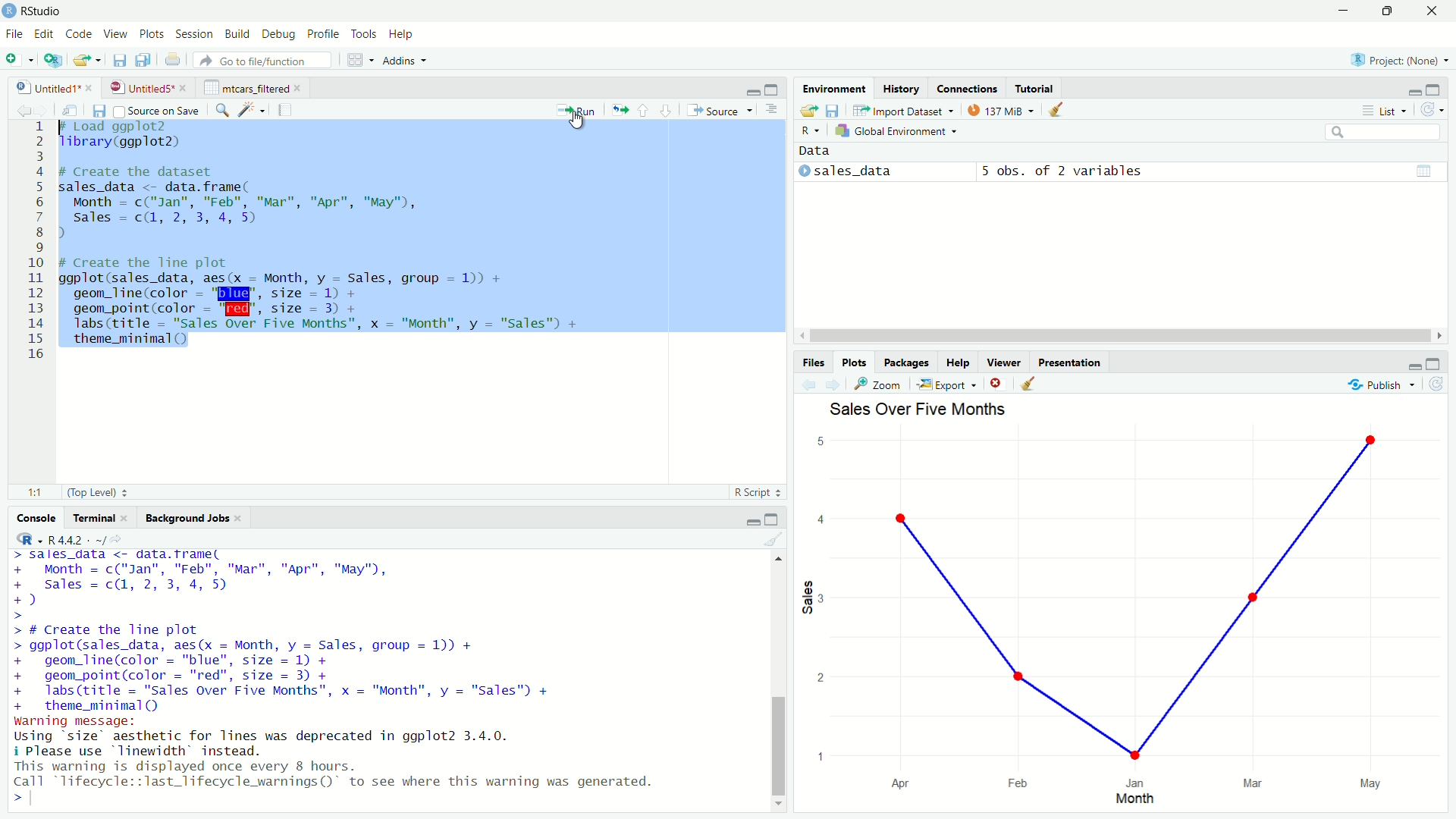 The image size is (1456, 819). What do you see at coordinates (772, 111) in the screenshot?
I see `show document outline` at bounding box center [772, 111].